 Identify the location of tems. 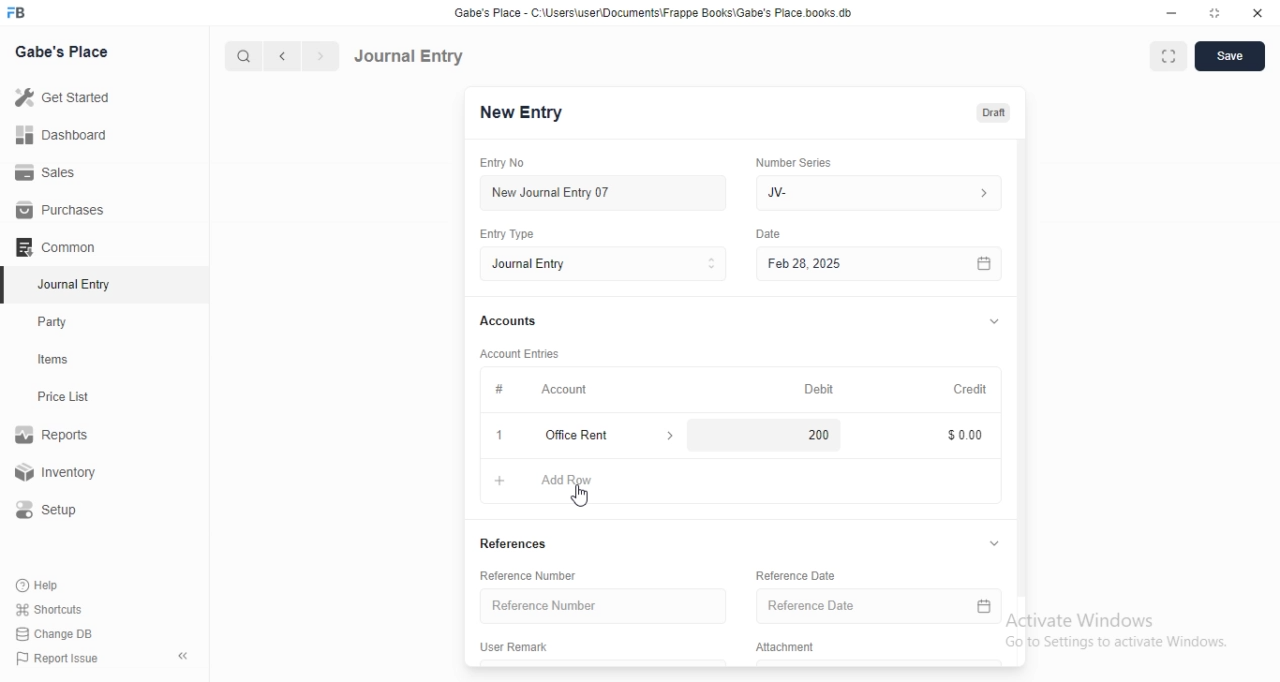
(61, 360).